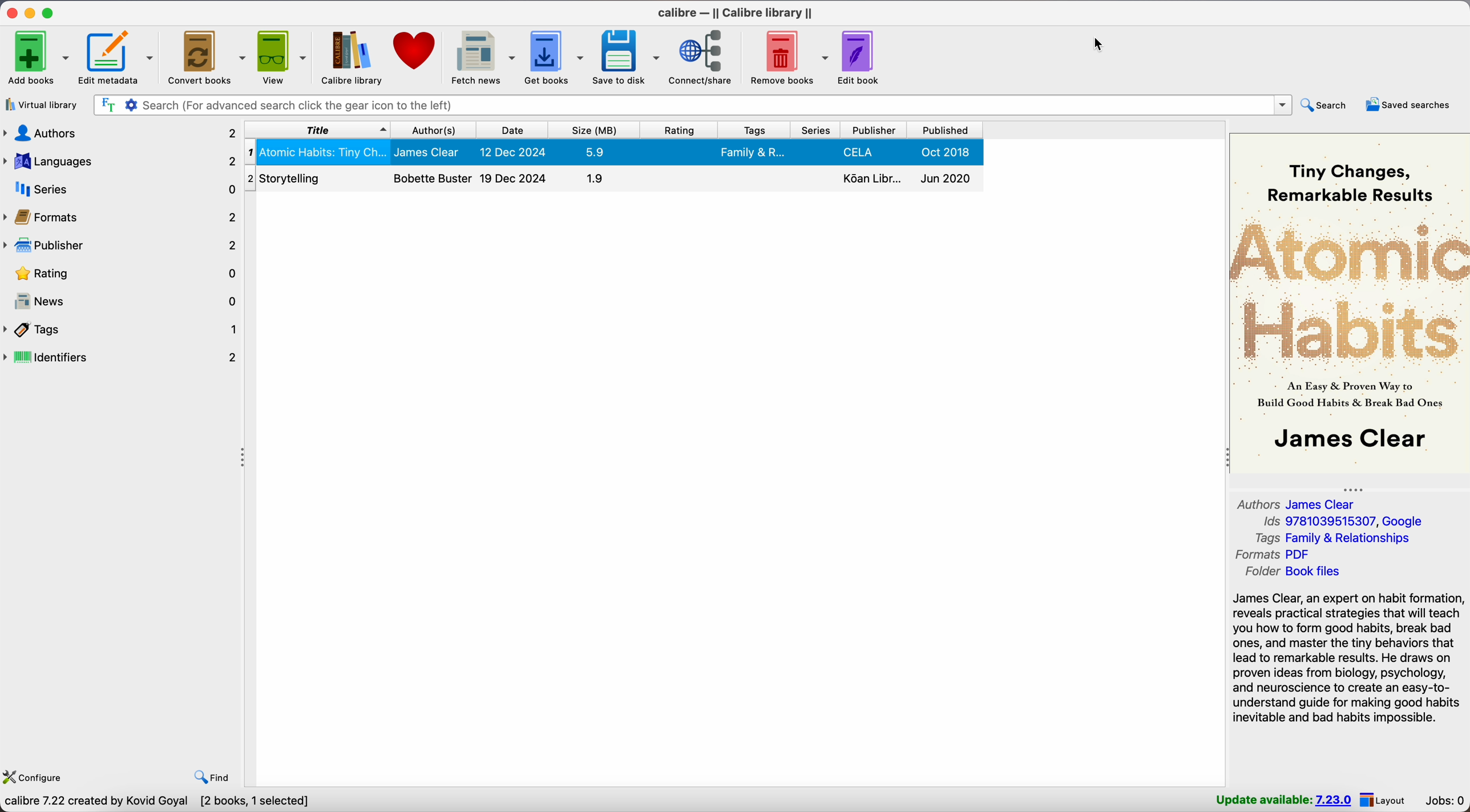  Describe the element at coordinates (32, 13) in the screenshot. I see `minimize Calibre` at that location.